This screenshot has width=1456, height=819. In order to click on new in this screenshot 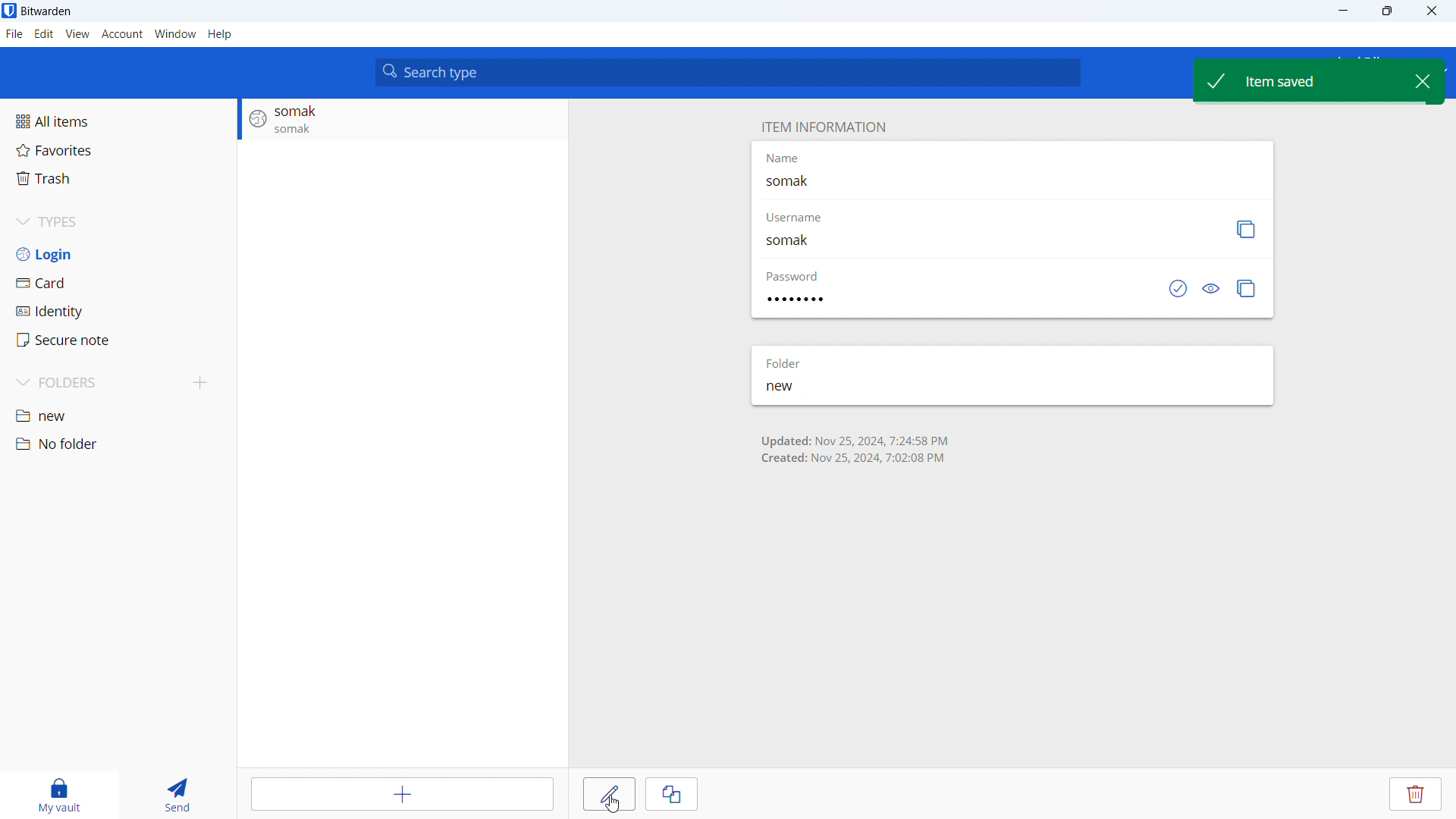, I will do `click(798, 388)`.